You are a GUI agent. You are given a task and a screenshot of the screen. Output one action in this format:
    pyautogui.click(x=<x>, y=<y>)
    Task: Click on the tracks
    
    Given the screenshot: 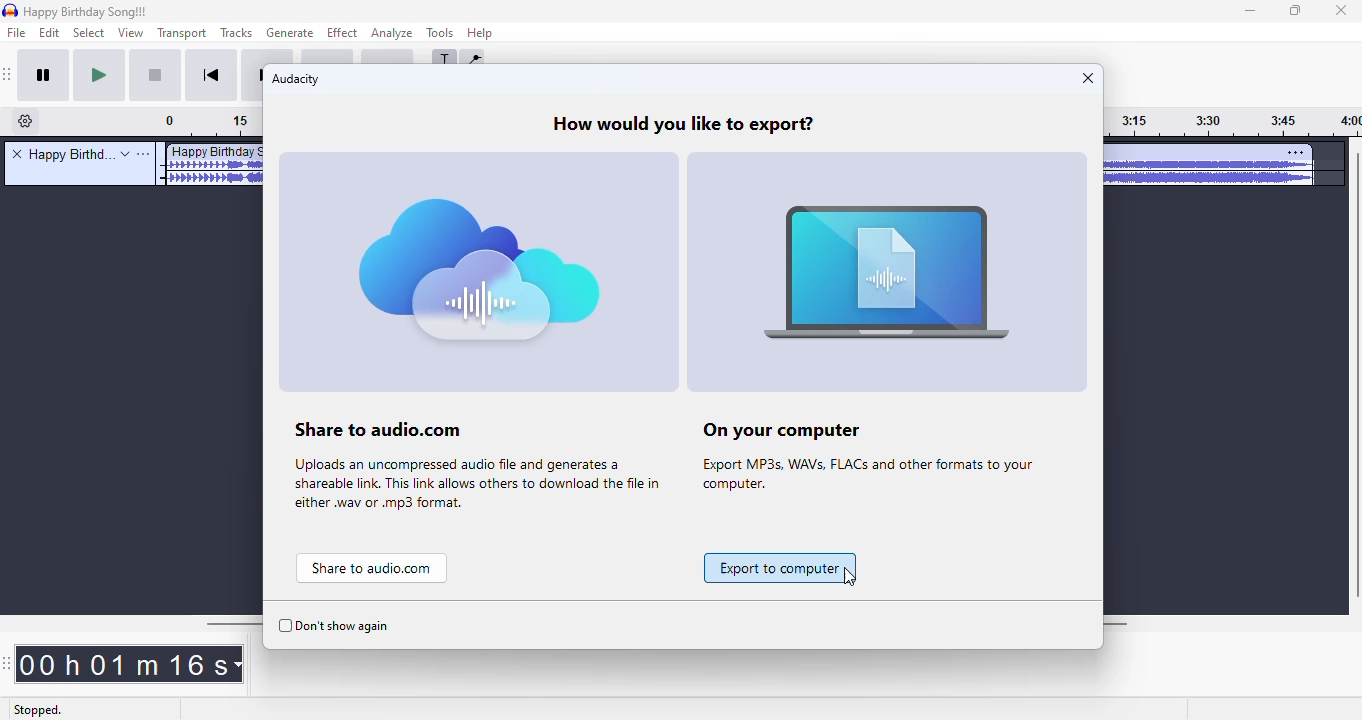 What is the action you would take?
    pyautogui.click(x=237, y=32)
    